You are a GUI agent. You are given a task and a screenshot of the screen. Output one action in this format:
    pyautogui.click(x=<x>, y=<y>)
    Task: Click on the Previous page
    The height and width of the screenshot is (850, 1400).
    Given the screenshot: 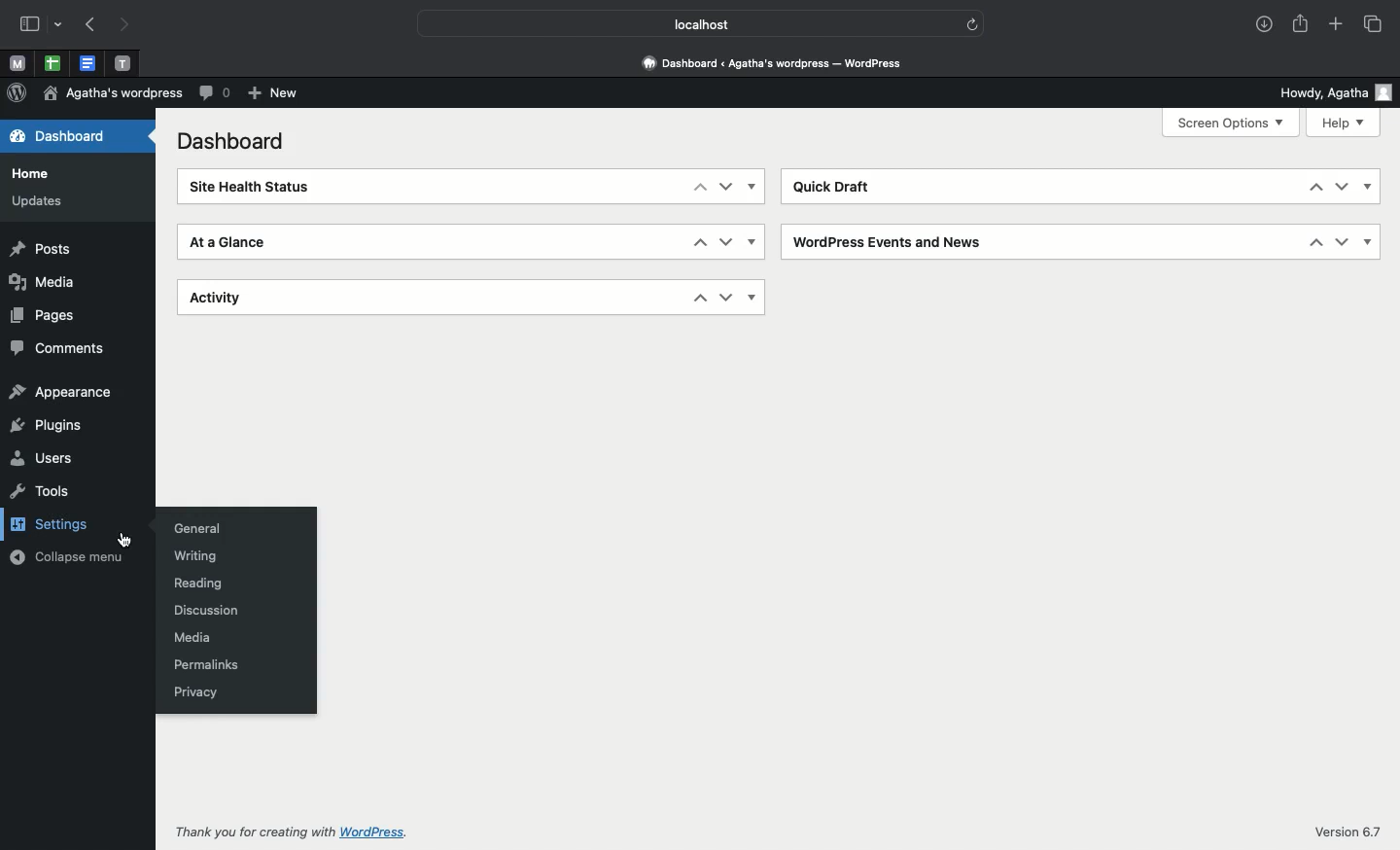 What is the action you would take?
    pyautogui.click(x=93, y=25)
    